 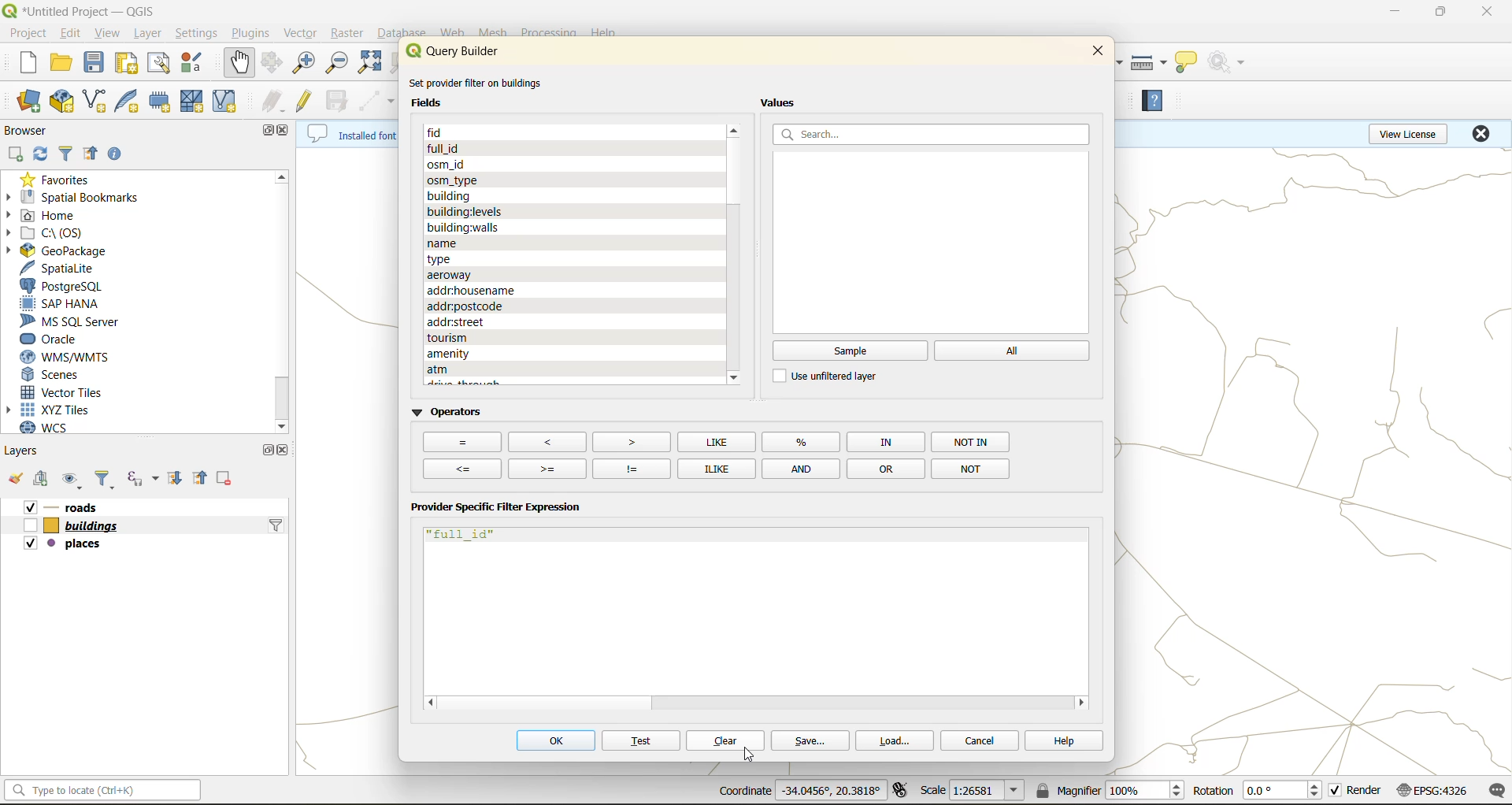 What do you see at coordinates (1483, 136) in the screenshot?
I see `close` at bounding box center [1483, 136].